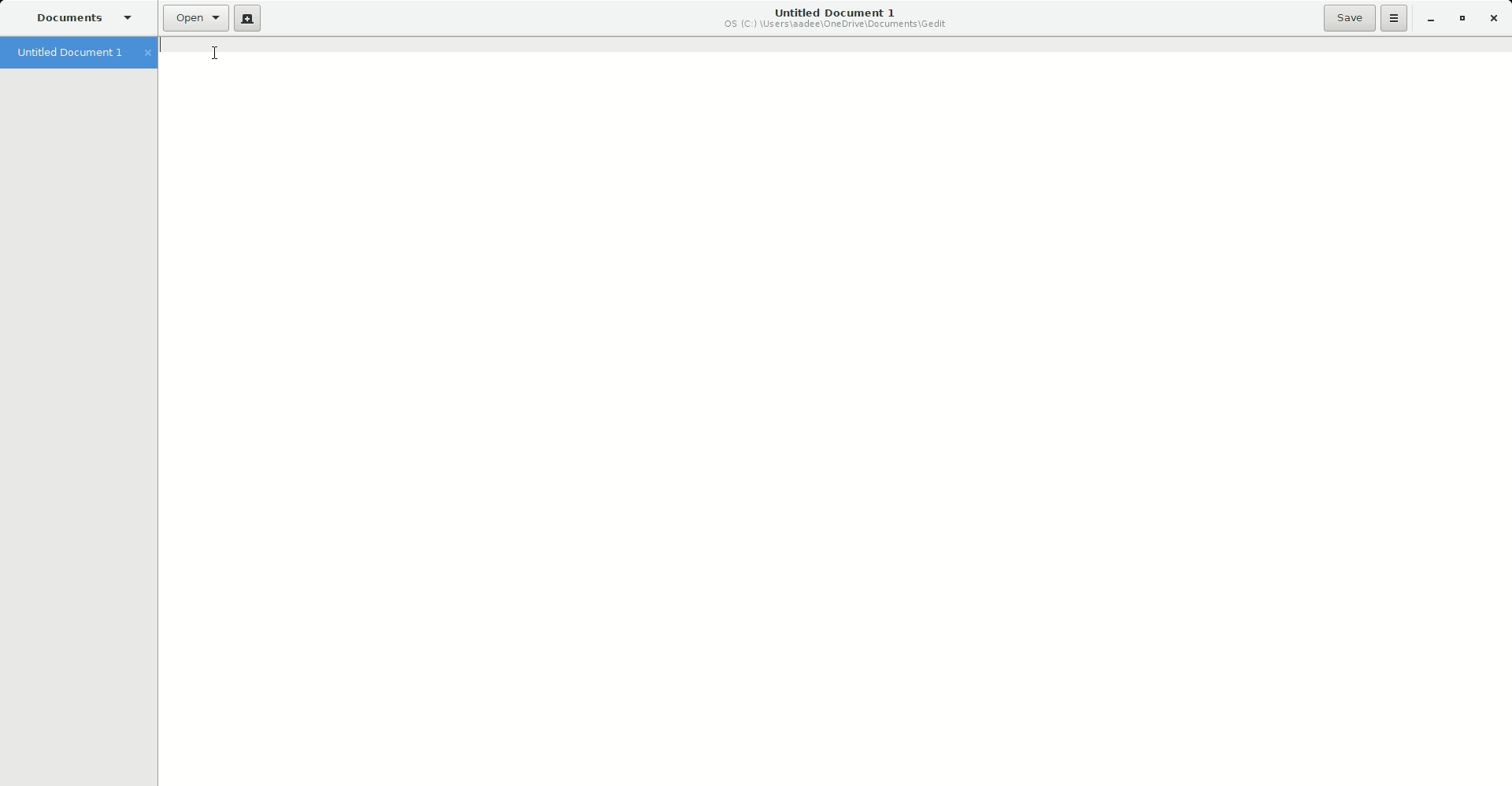 This screenshot has width=1512, height=786. What do you see at coordinates (247, 19) in the screenshot?
I see `New` at bounding box center [247, 19].